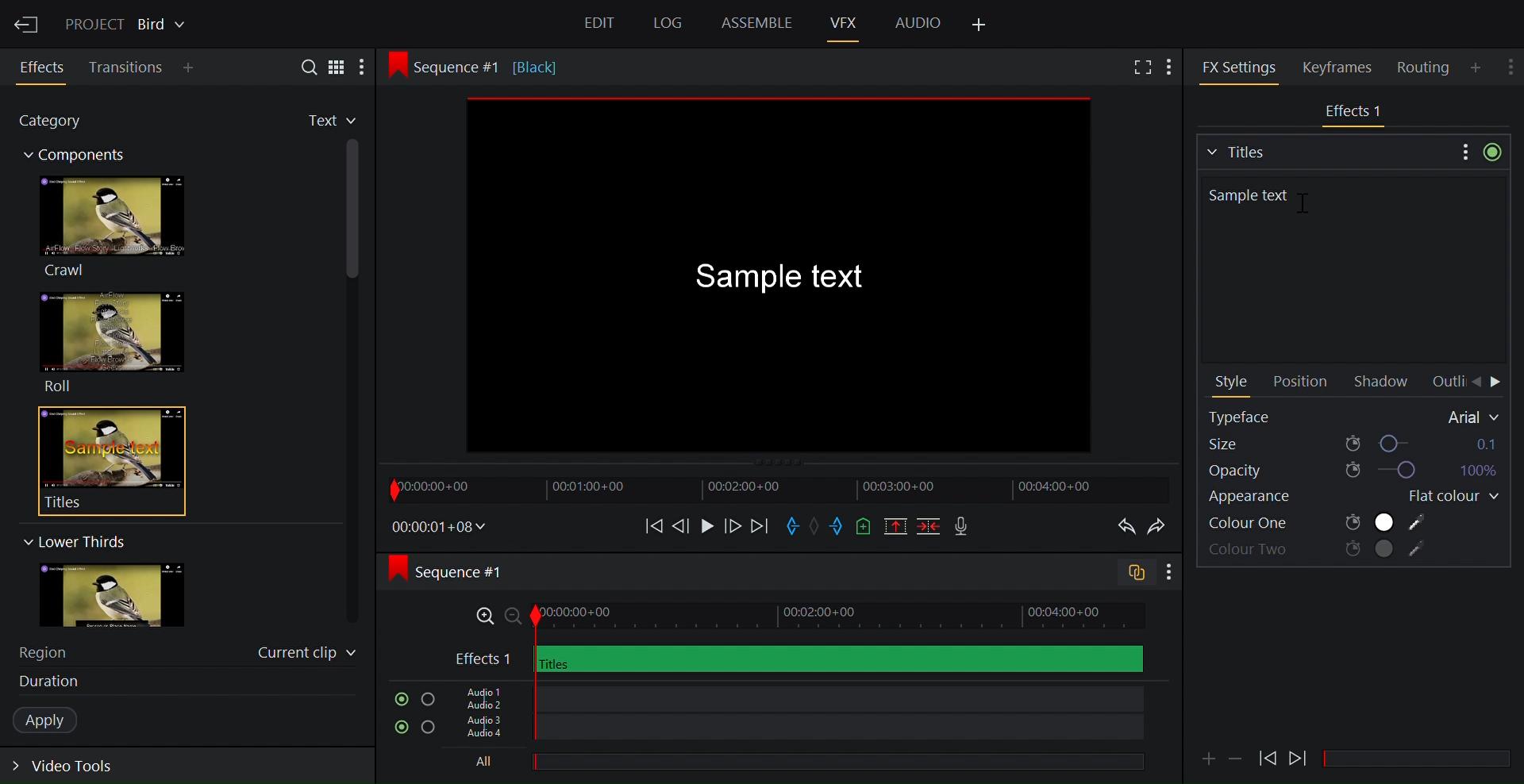  What do you see at coordinates (706, 525) in the screenshot?
I see `Play` at bounding box center [706, 525].